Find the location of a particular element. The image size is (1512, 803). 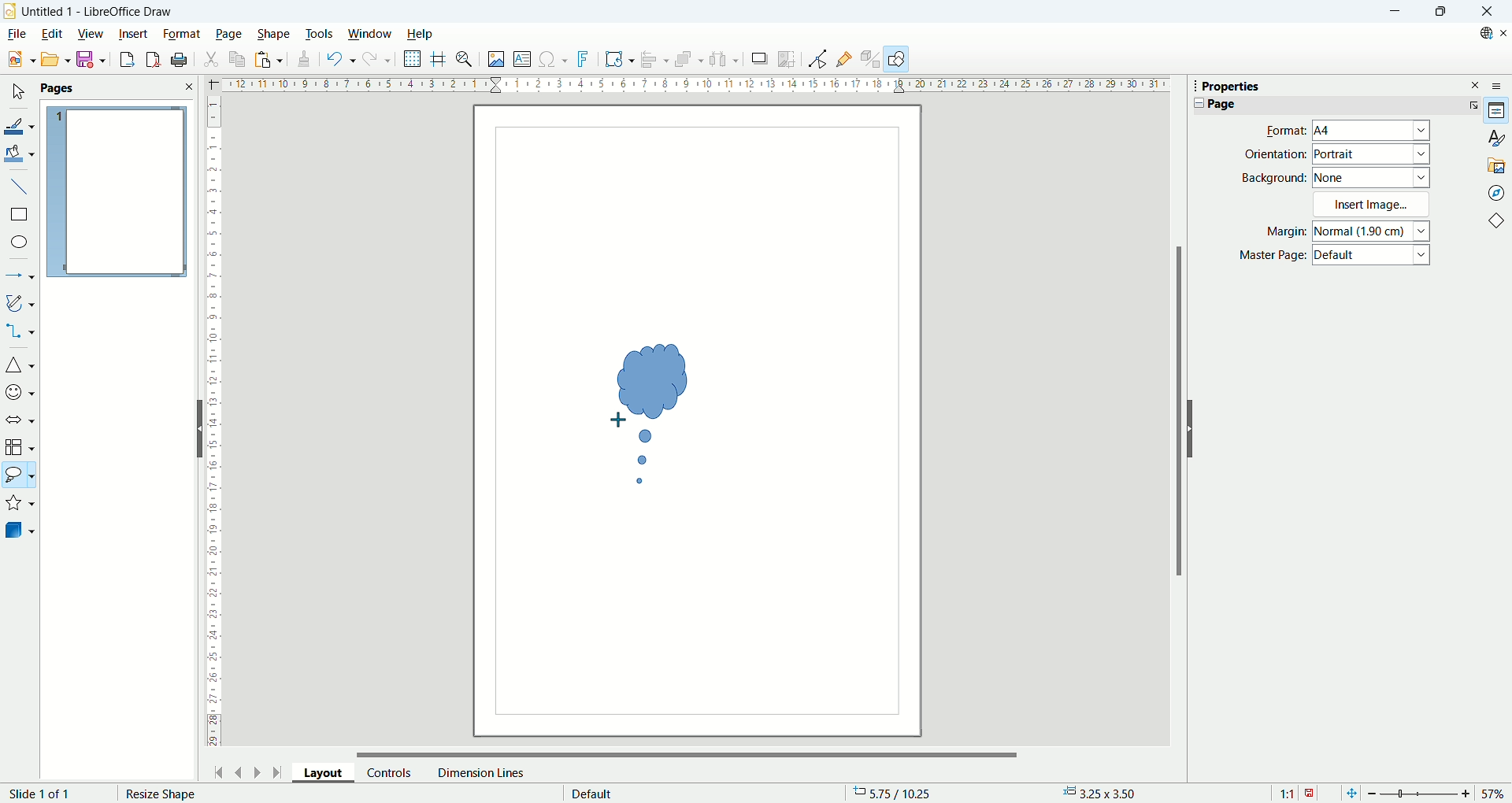

Untitled 1 - LiberOffice Draw is located at coordinates (98, 9).